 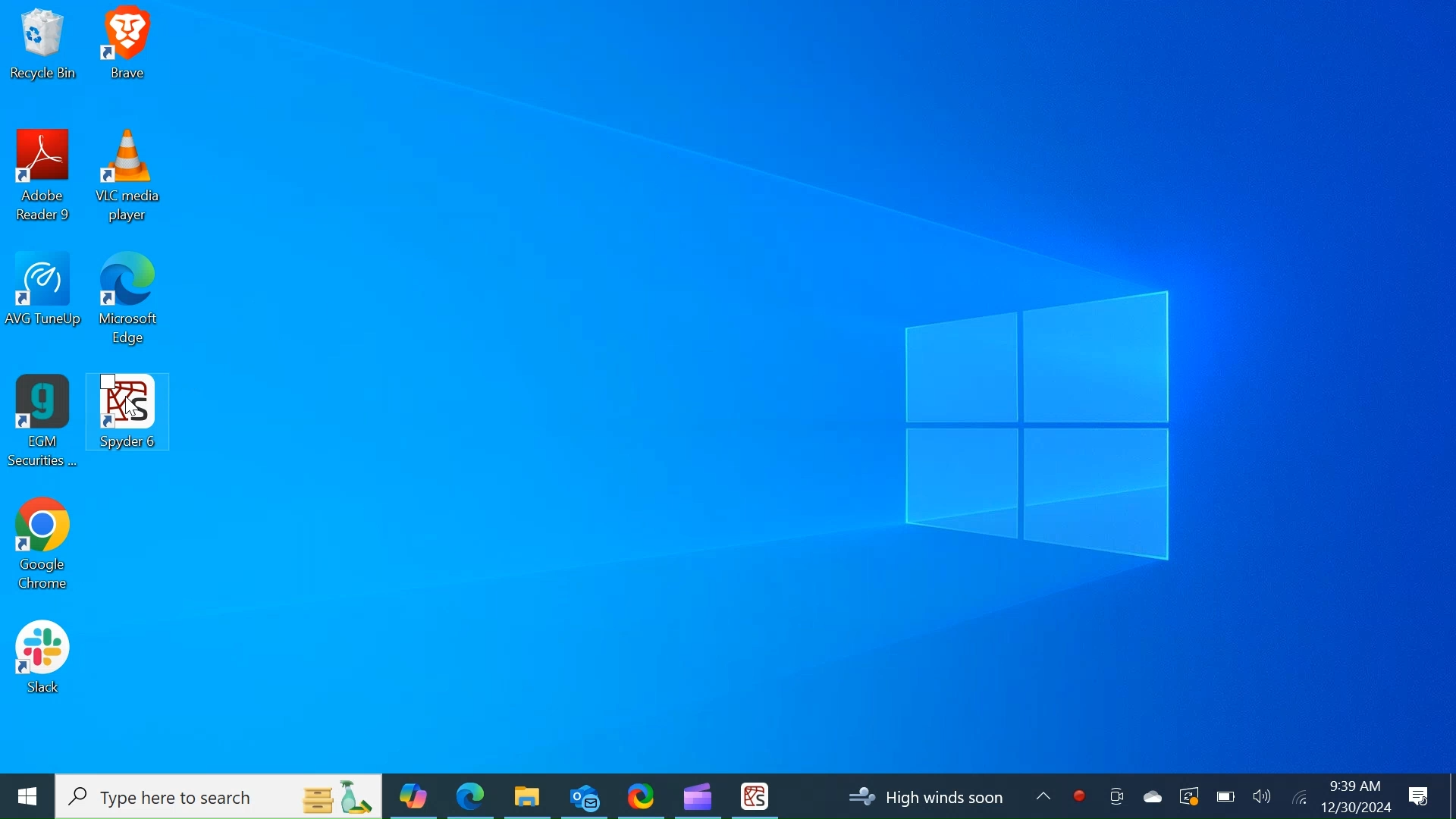 I want to click on Spyder Desktop Icon, so click(x=755, y=796).